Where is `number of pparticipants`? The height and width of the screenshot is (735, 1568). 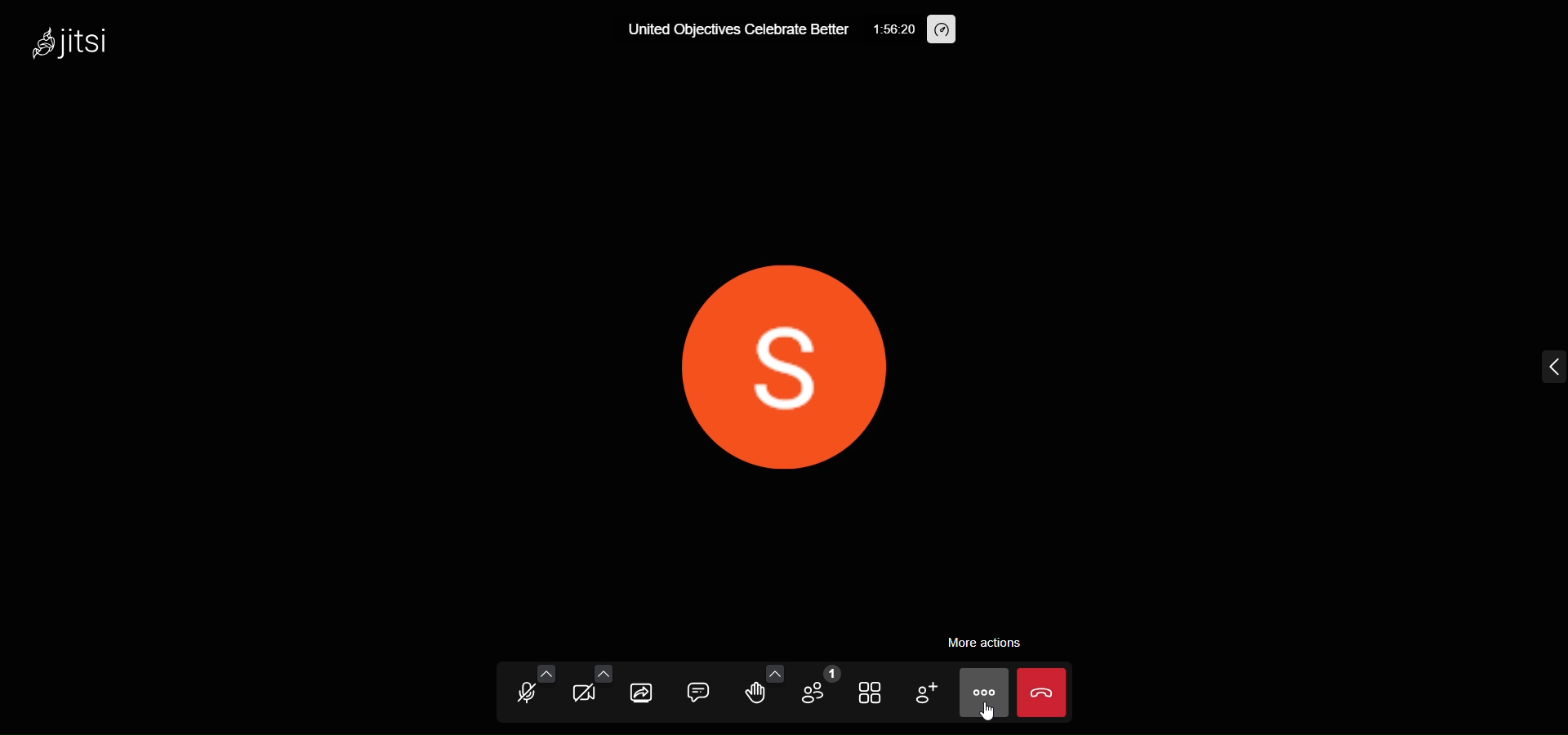
number of pparticipants is located at coordinates (817, 690).